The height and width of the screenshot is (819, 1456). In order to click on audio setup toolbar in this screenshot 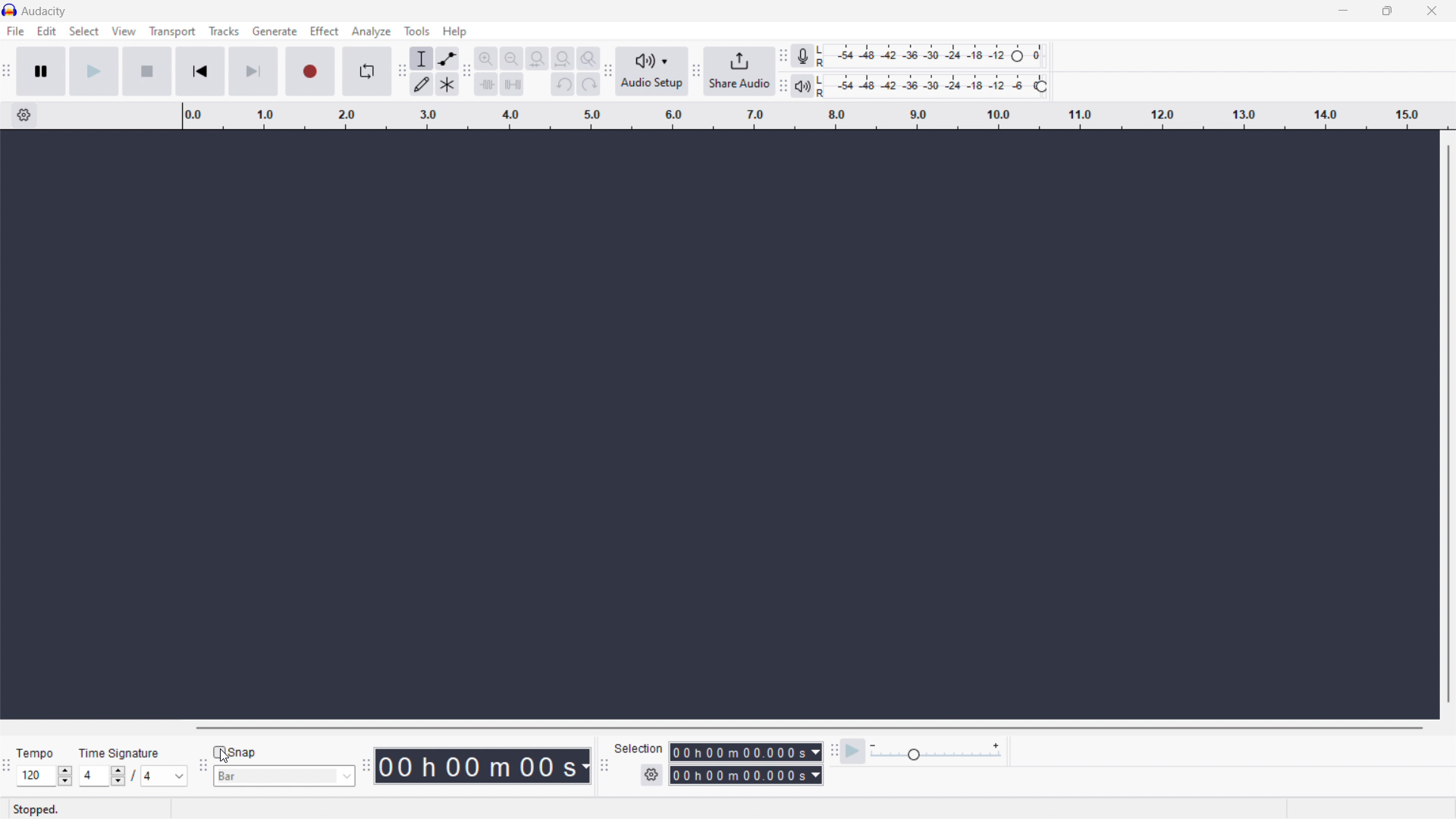, I will do `click(607, 72)`.